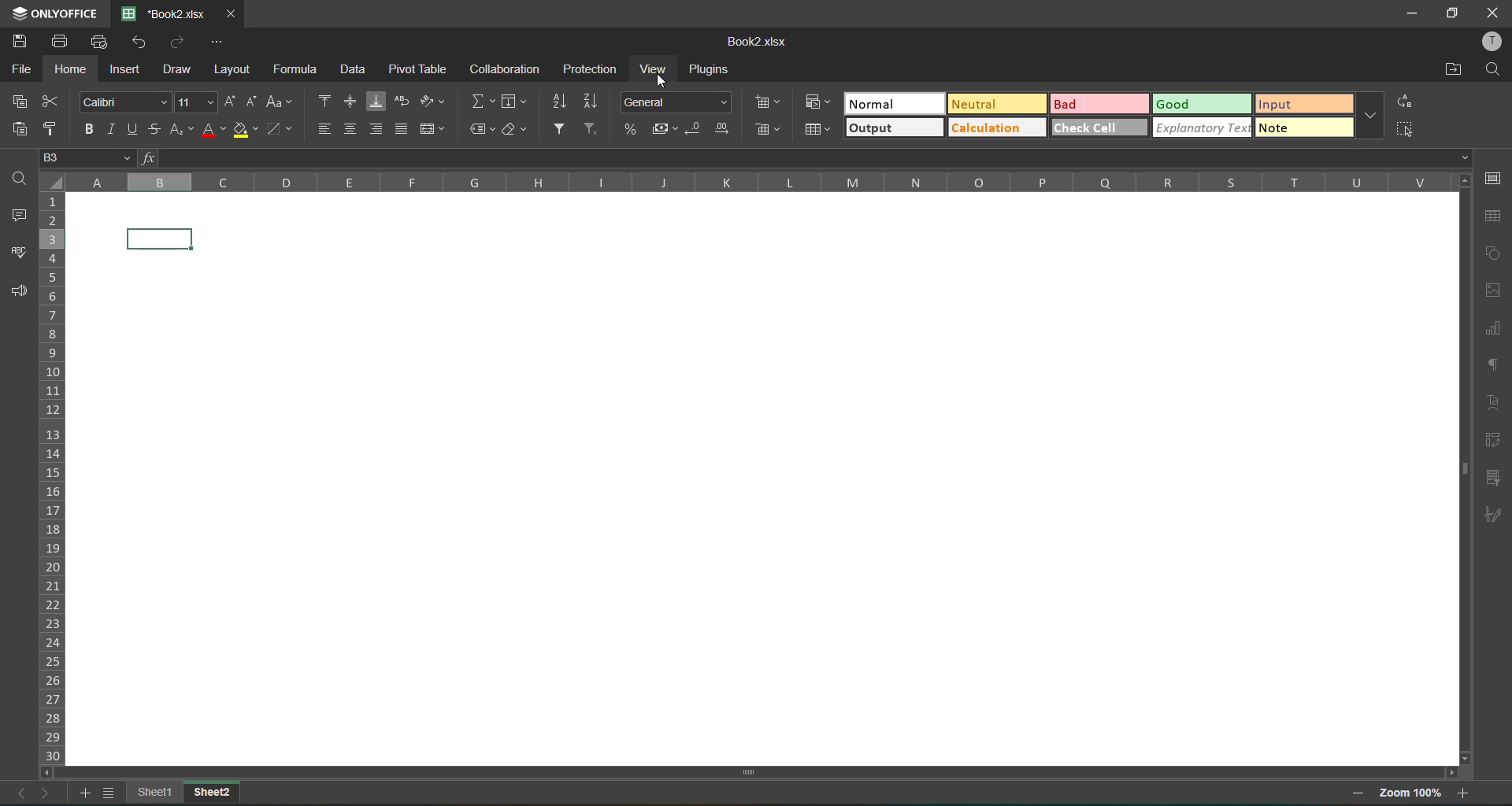 This screenshot has height=806, width=1512. What do you see at coordinates (232, 102) in the screenshot?
I see `increment size` at bounding box center [232, 102].